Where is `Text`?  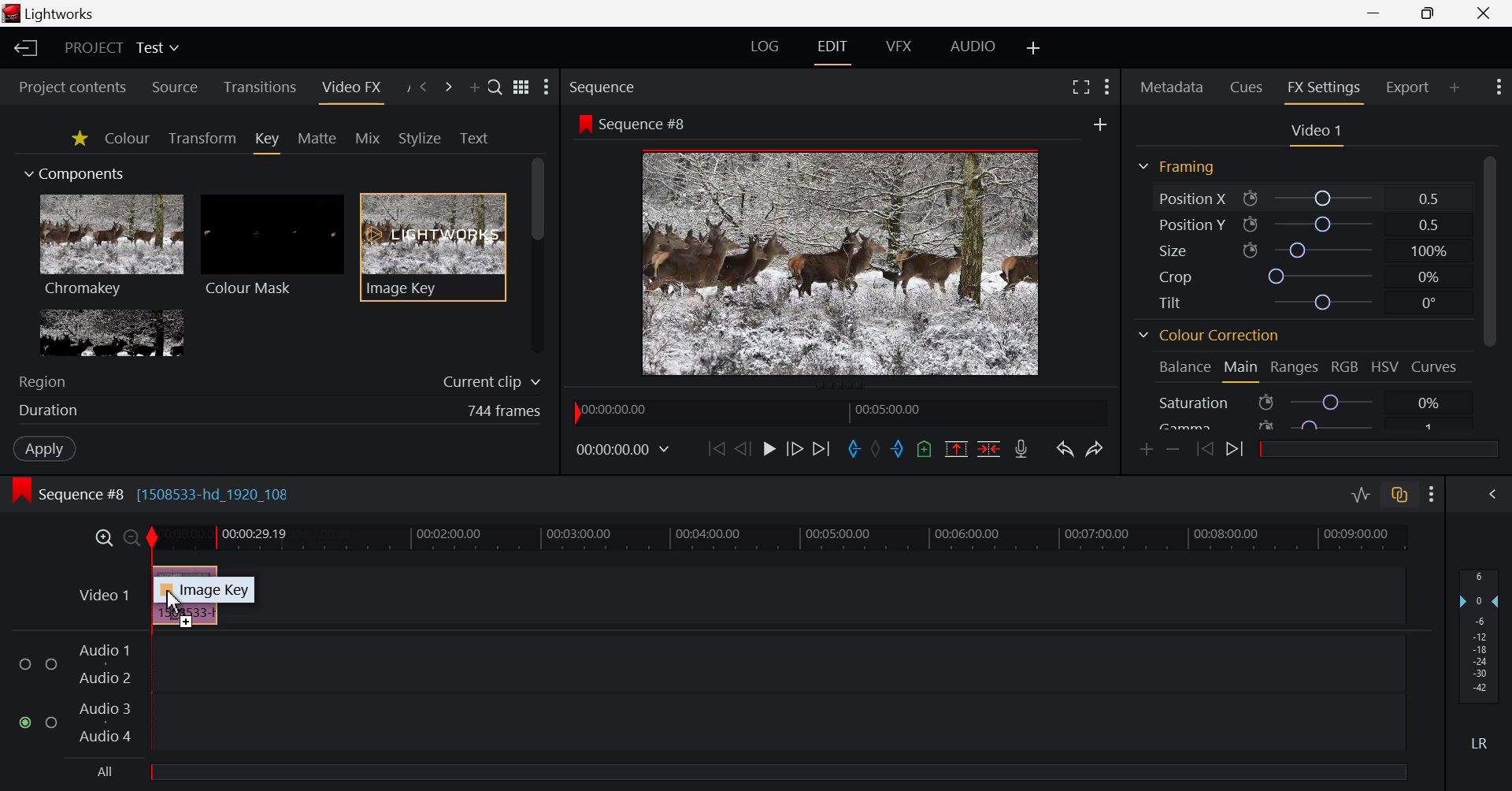
Text is located at coordinates (473, 138).